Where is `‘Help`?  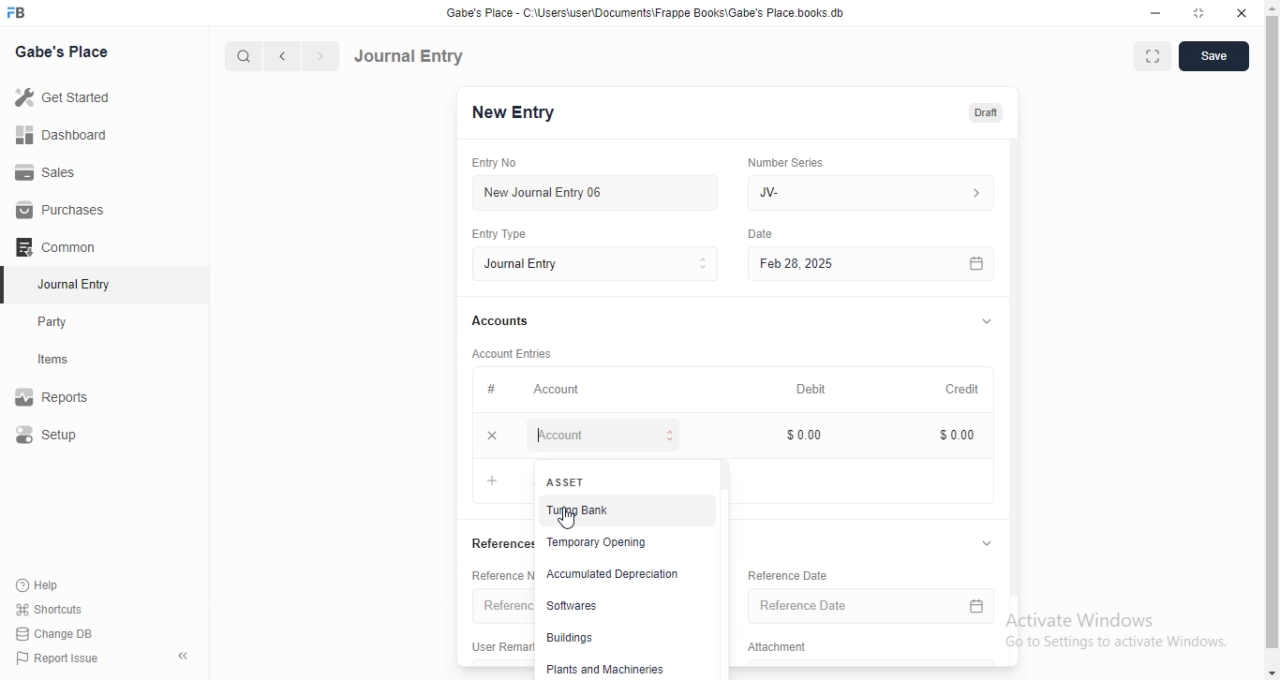 ‘Help is located at coordinates (61, 585).